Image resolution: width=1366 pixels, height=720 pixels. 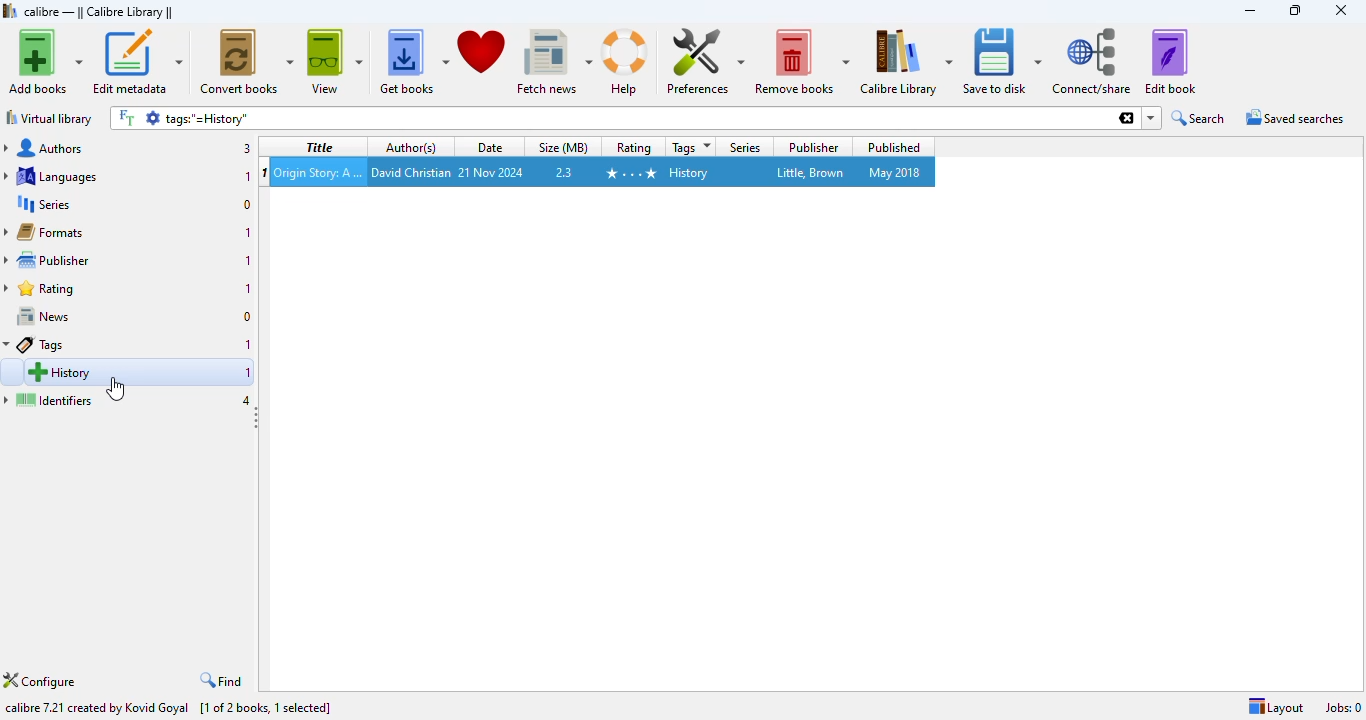 What do you see at coordinates (907, 61) in the screenshot?
I see `calibre library` at bounding box center [907, 61].